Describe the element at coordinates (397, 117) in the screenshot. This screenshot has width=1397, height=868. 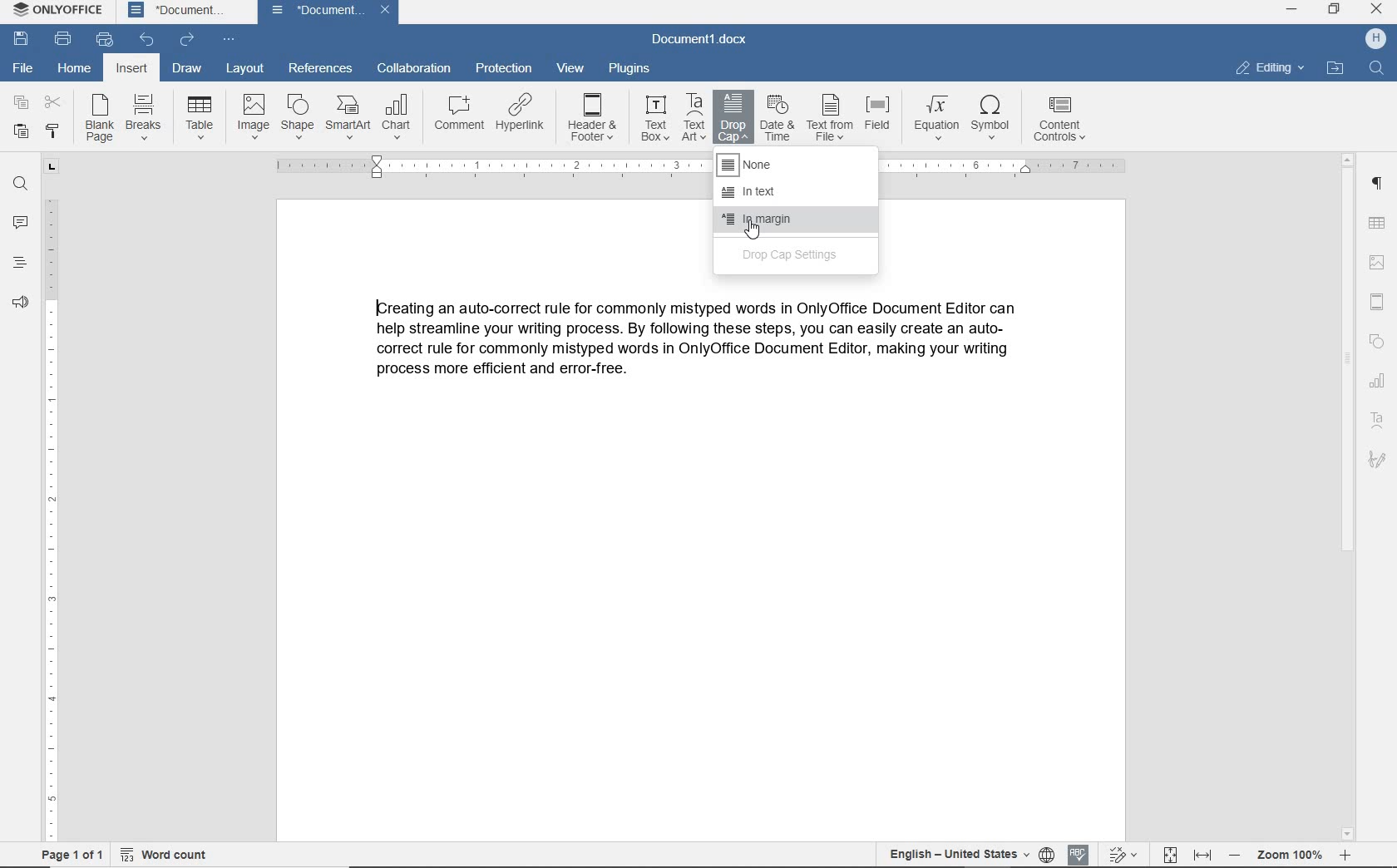
I see `chart` at that location.